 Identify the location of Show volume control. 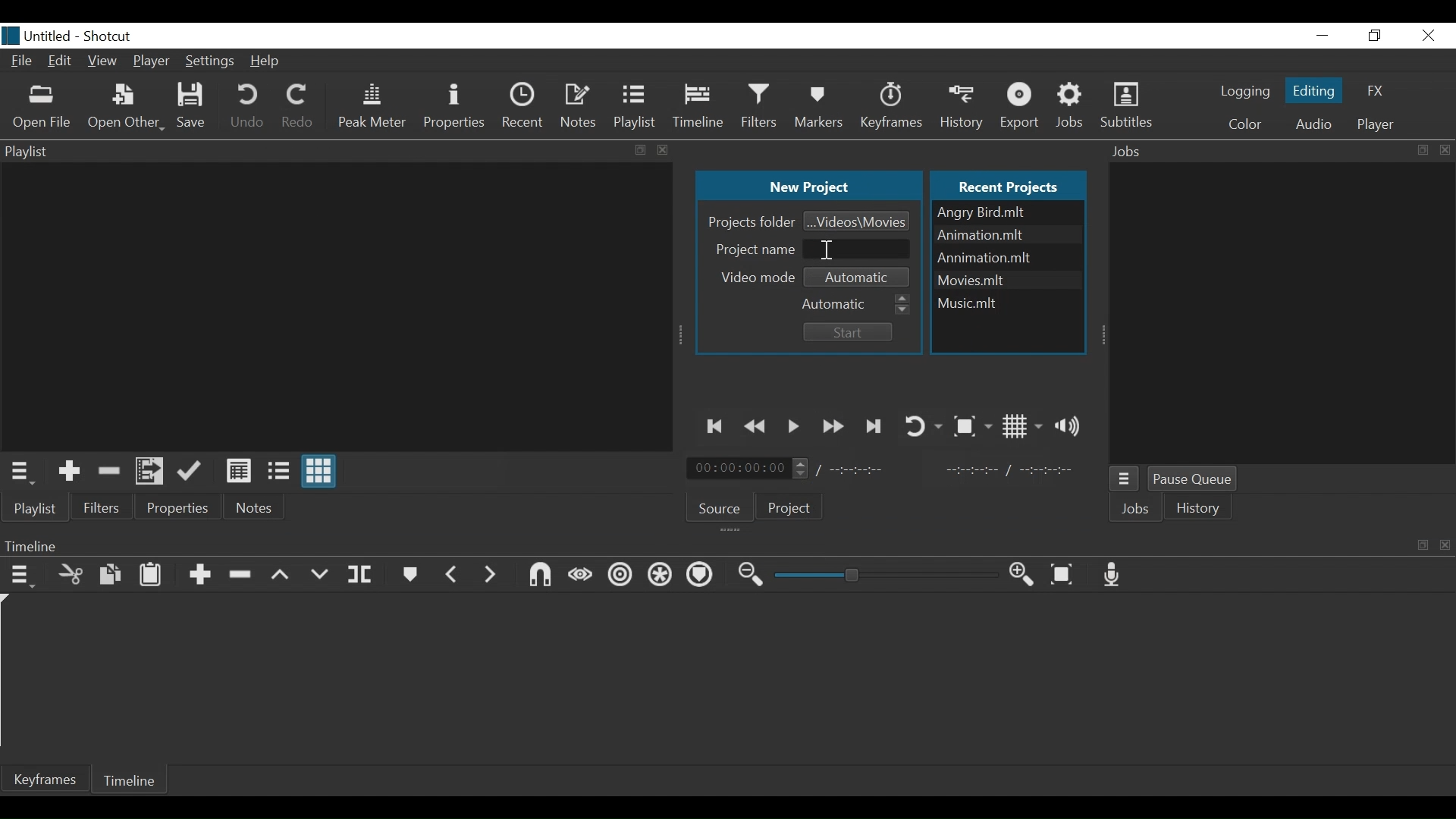
(1072, 425).